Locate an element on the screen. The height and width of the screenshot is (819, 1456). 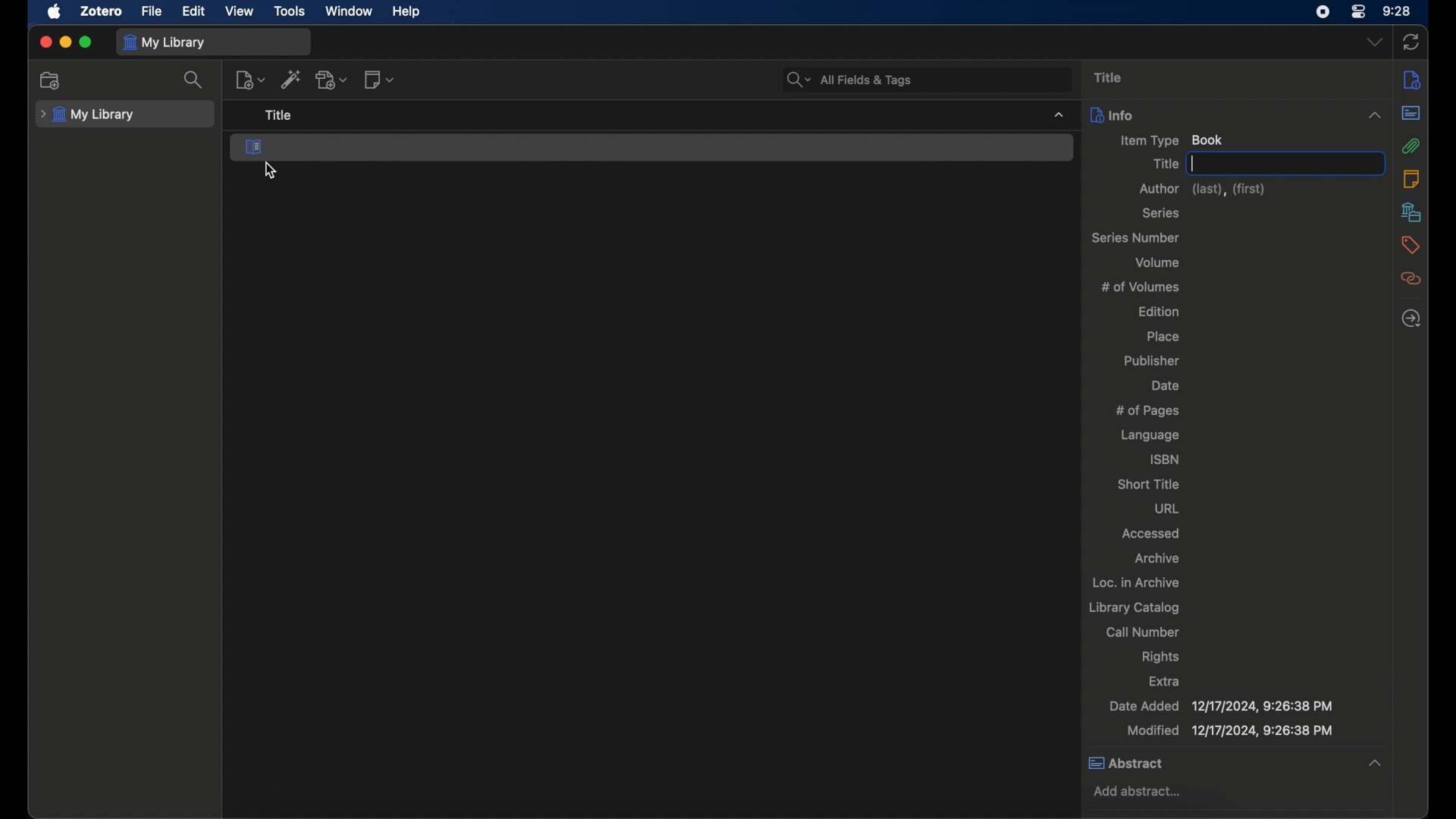
zotero is located at coordinates (99, 12).